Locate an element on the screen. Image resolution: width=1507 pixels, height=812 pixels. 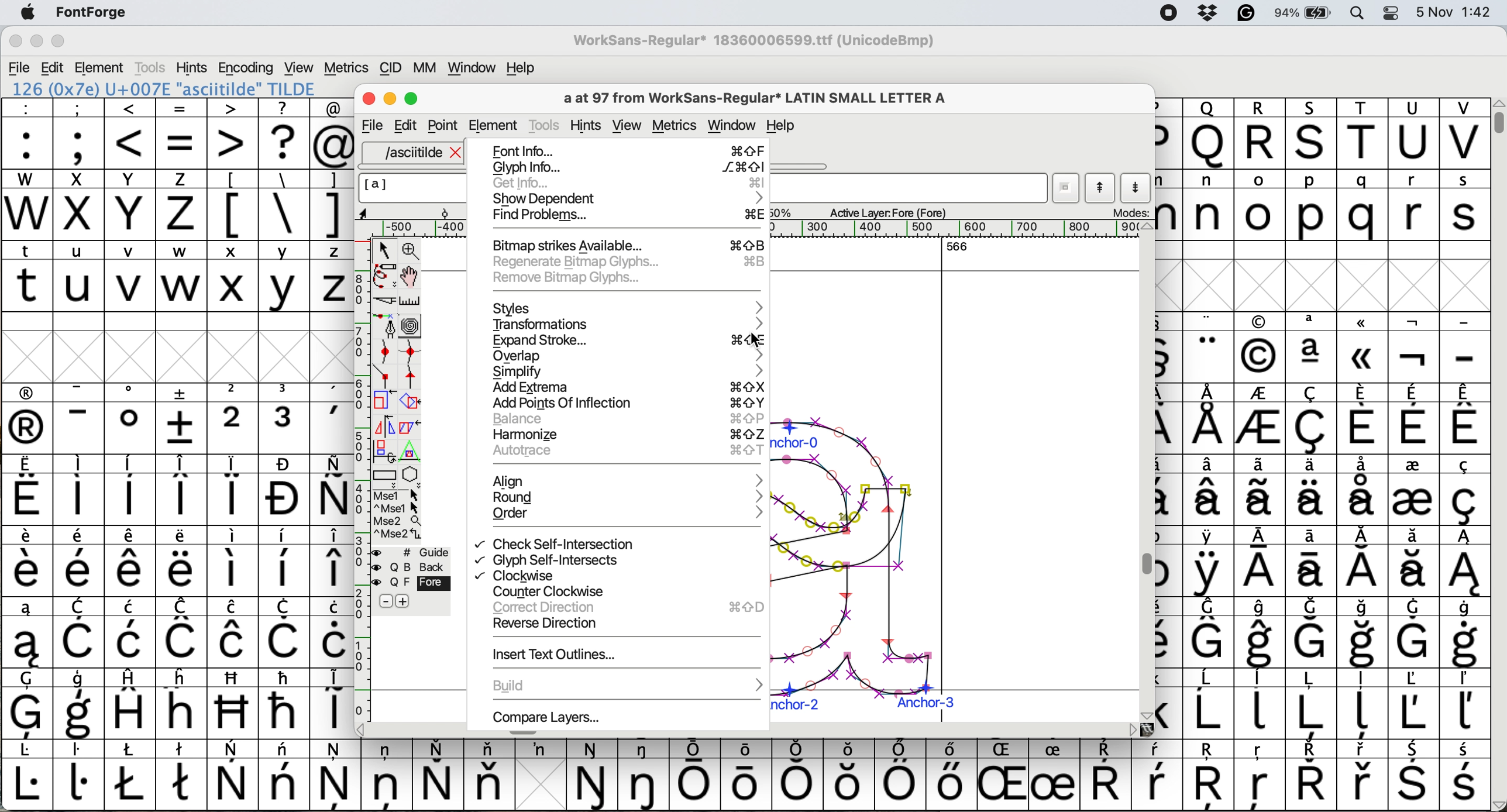
symbol is located at coordinates (489, 774).